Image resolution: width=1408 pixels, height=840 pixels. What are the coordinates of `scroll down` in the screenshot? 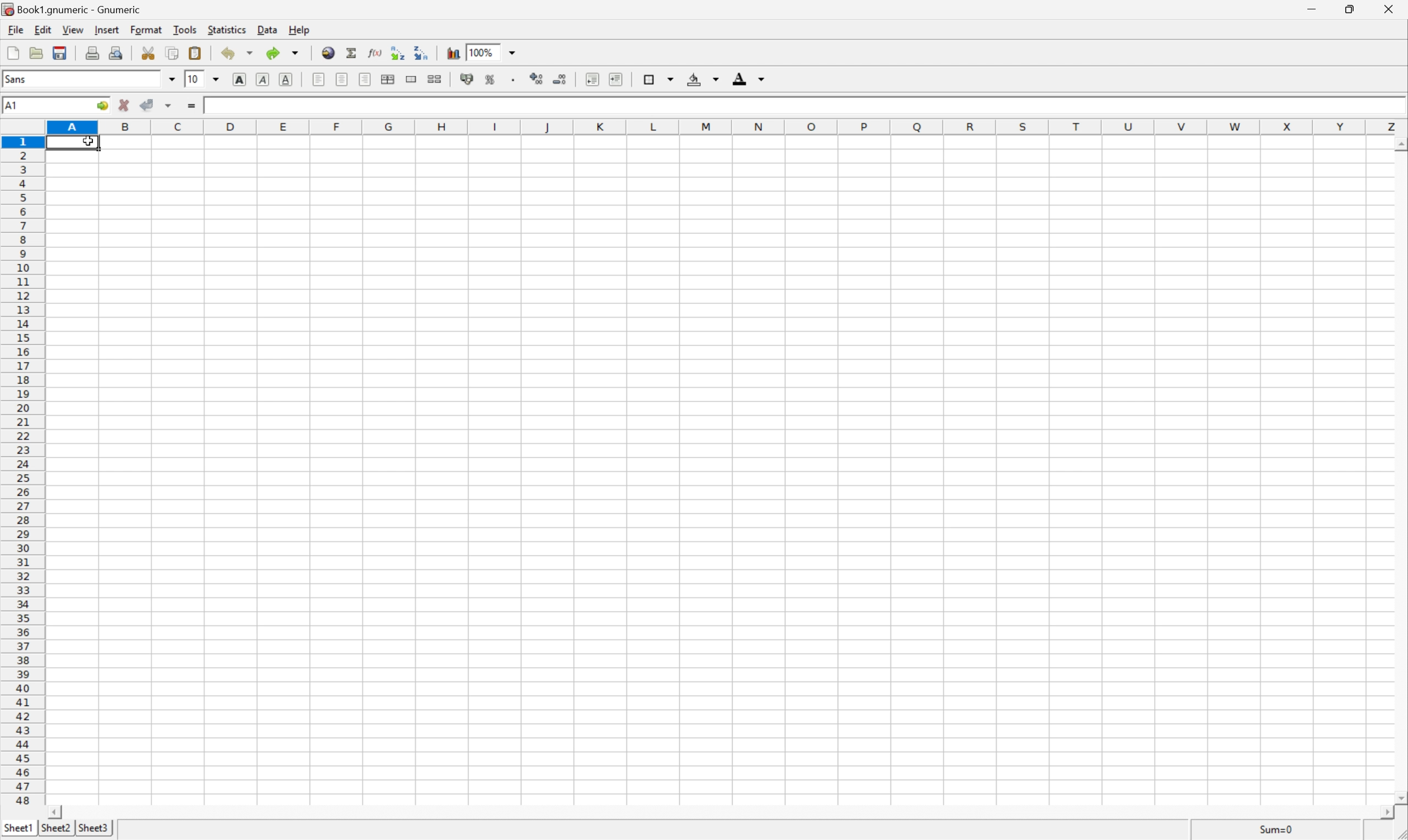 It's located at (1399, 799).